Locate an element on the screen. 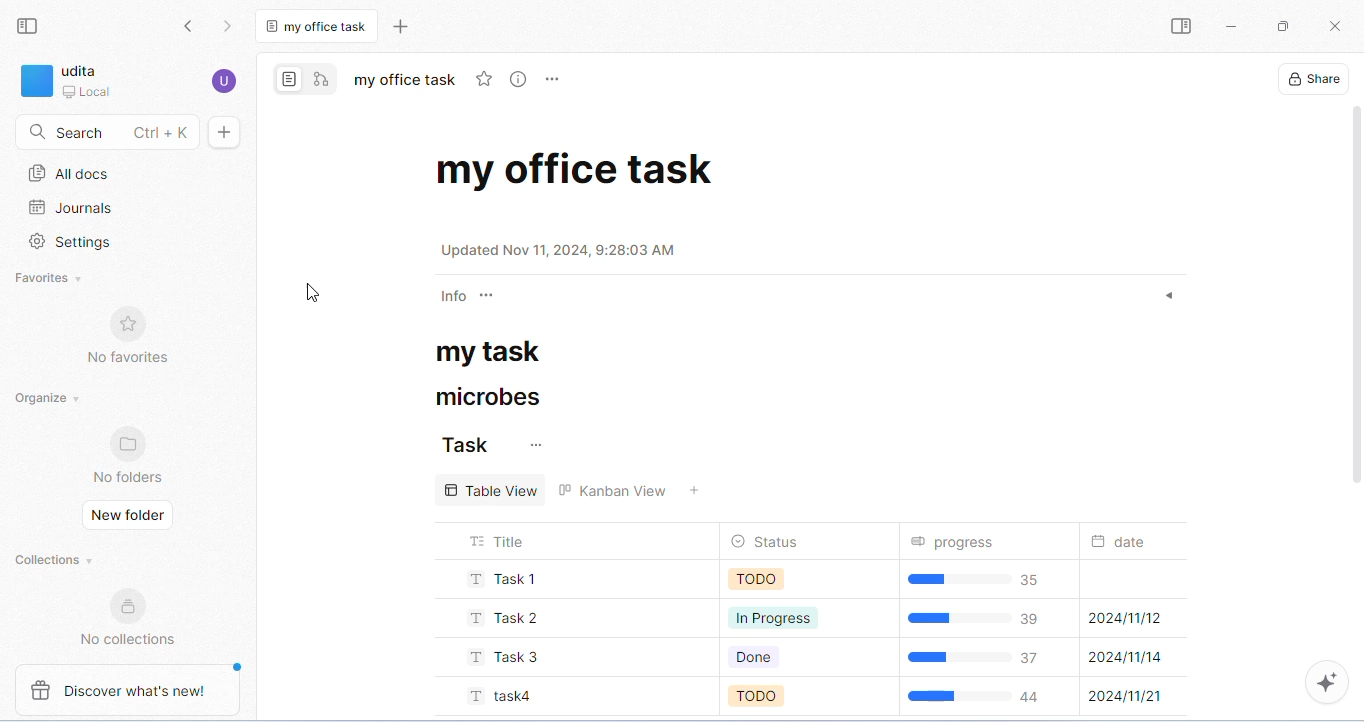 This screenshot has height=722, width=1364. task2 is located at coordinates (506, 619).